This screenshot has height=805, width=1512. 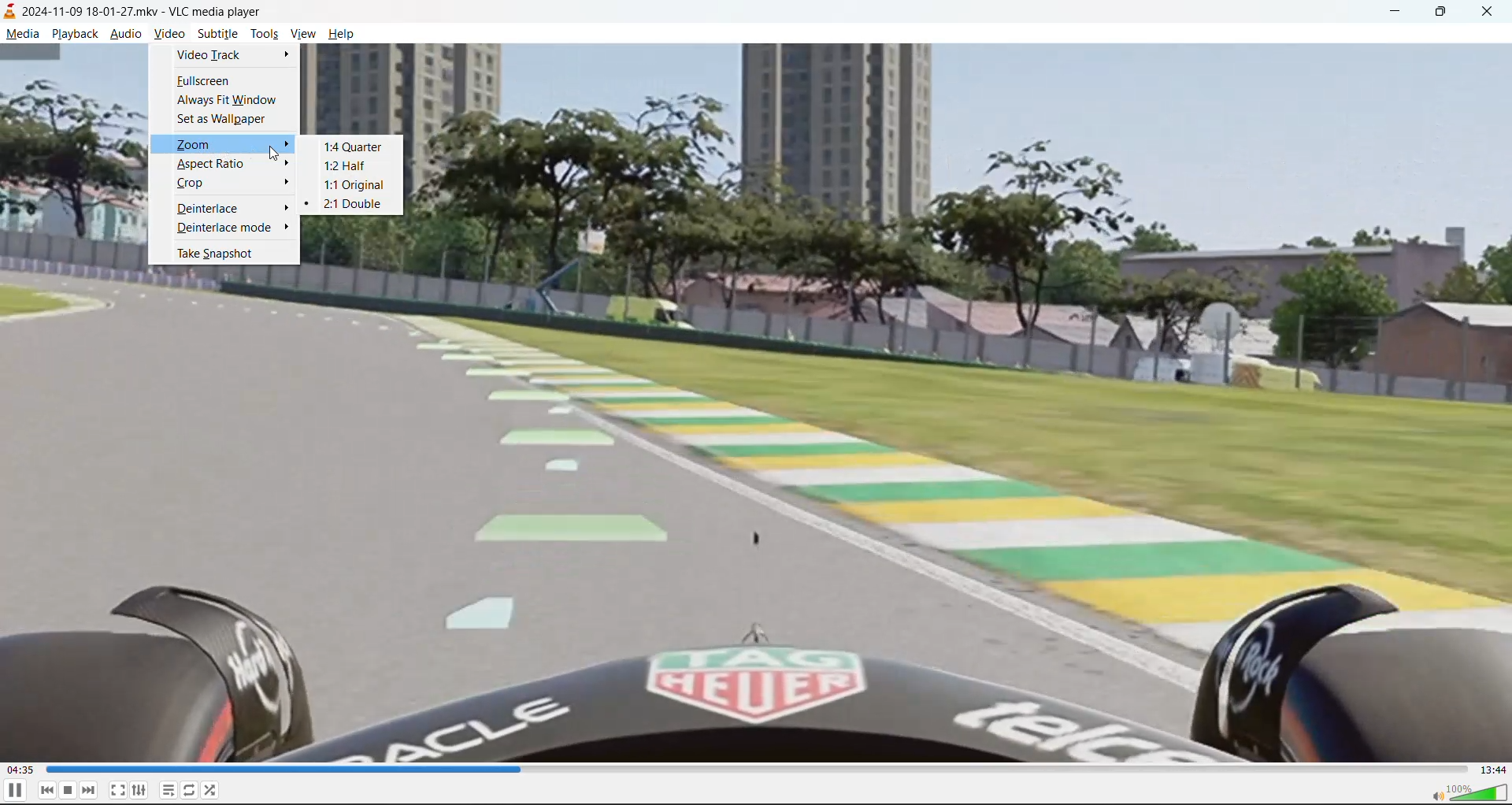 I want to click on 1:2 half, so click(x=348, y=169).